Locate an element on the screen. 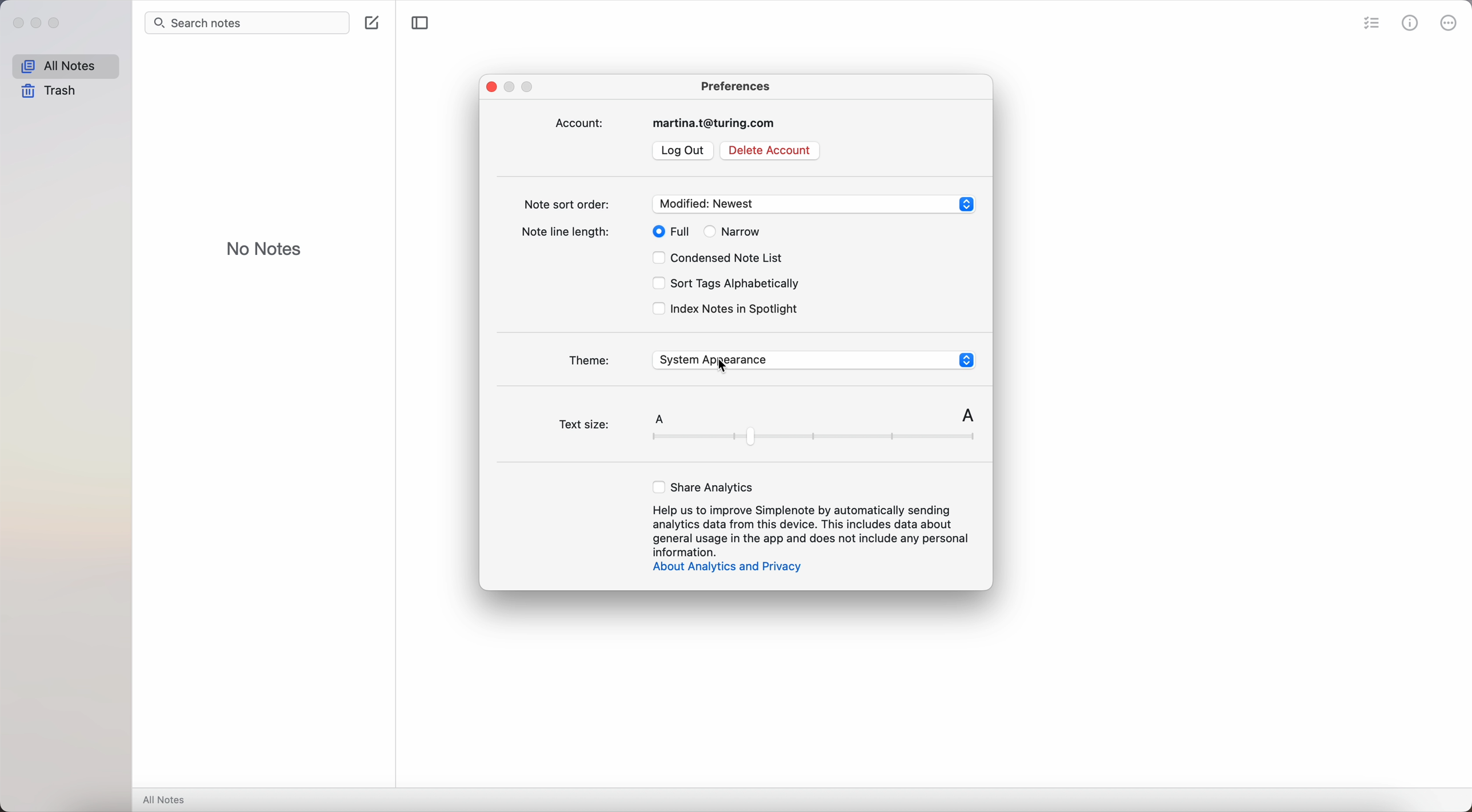  maximize Simplenote is located at coordinates (531, 88).